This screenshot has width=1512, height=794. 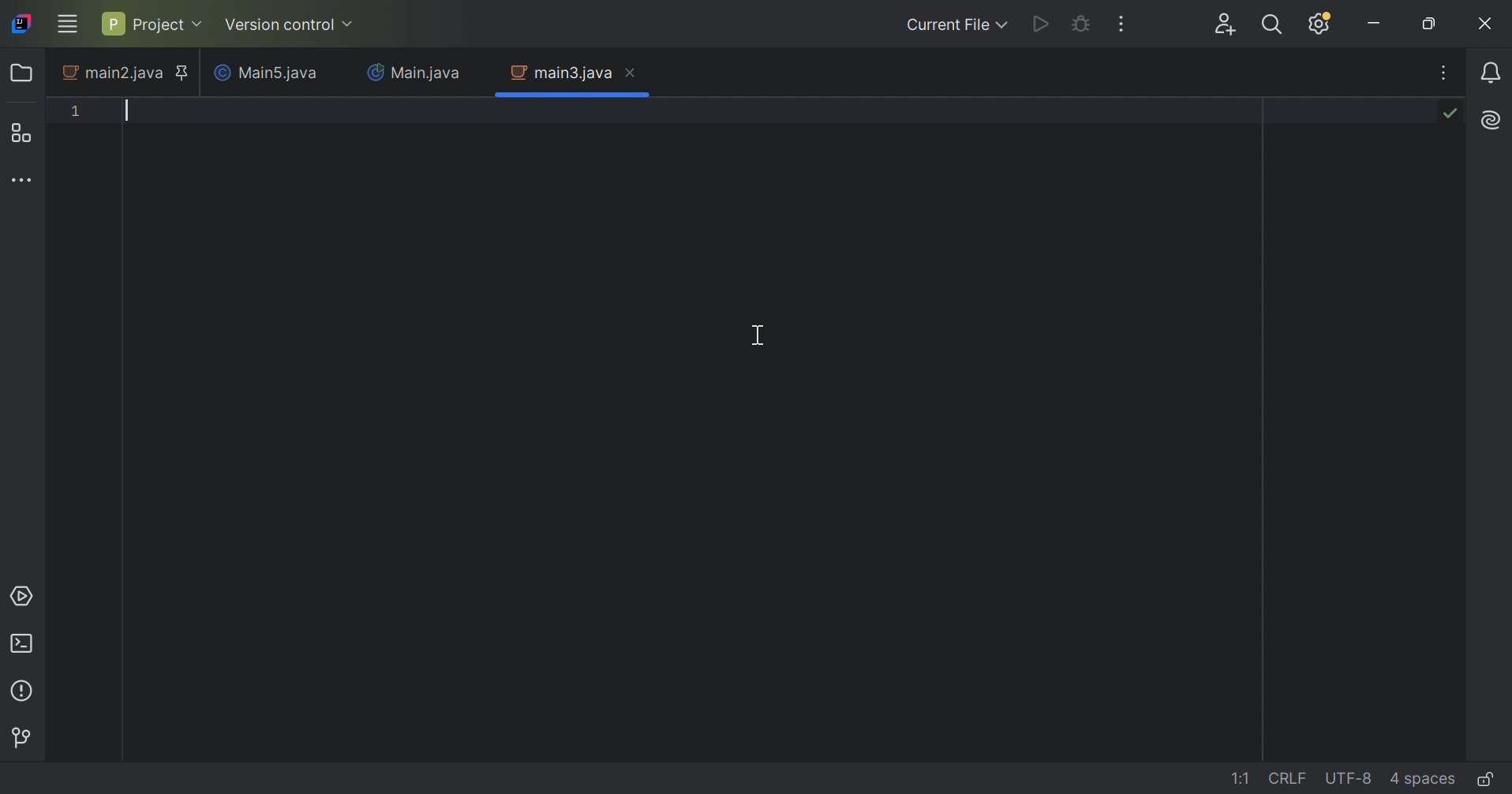 I want to click on IntelliJ IDEA icon, so click(x=24, y=23).